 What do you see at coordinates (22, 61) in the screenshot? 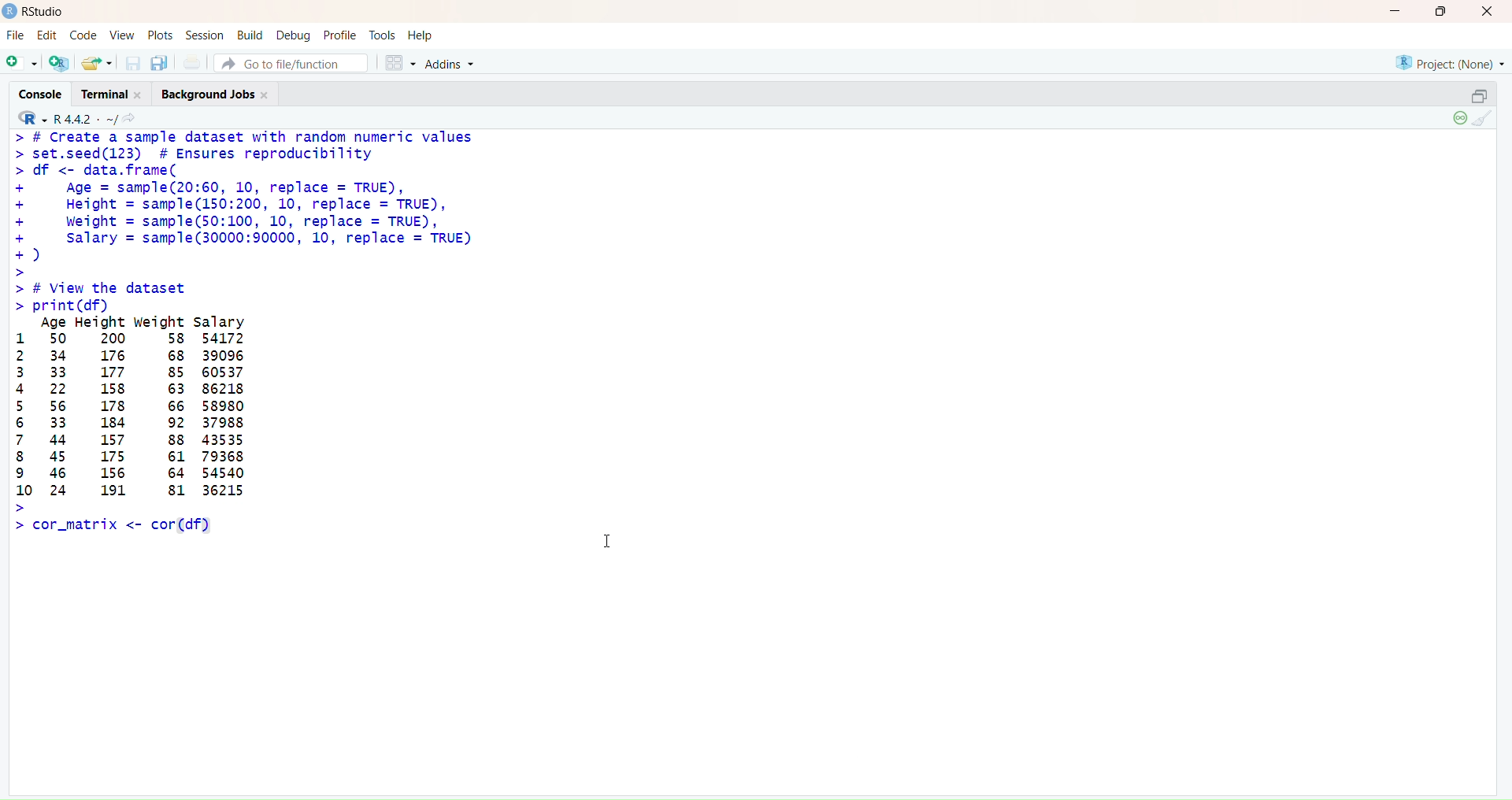
I see `New file` at bounding box center [22, 61].